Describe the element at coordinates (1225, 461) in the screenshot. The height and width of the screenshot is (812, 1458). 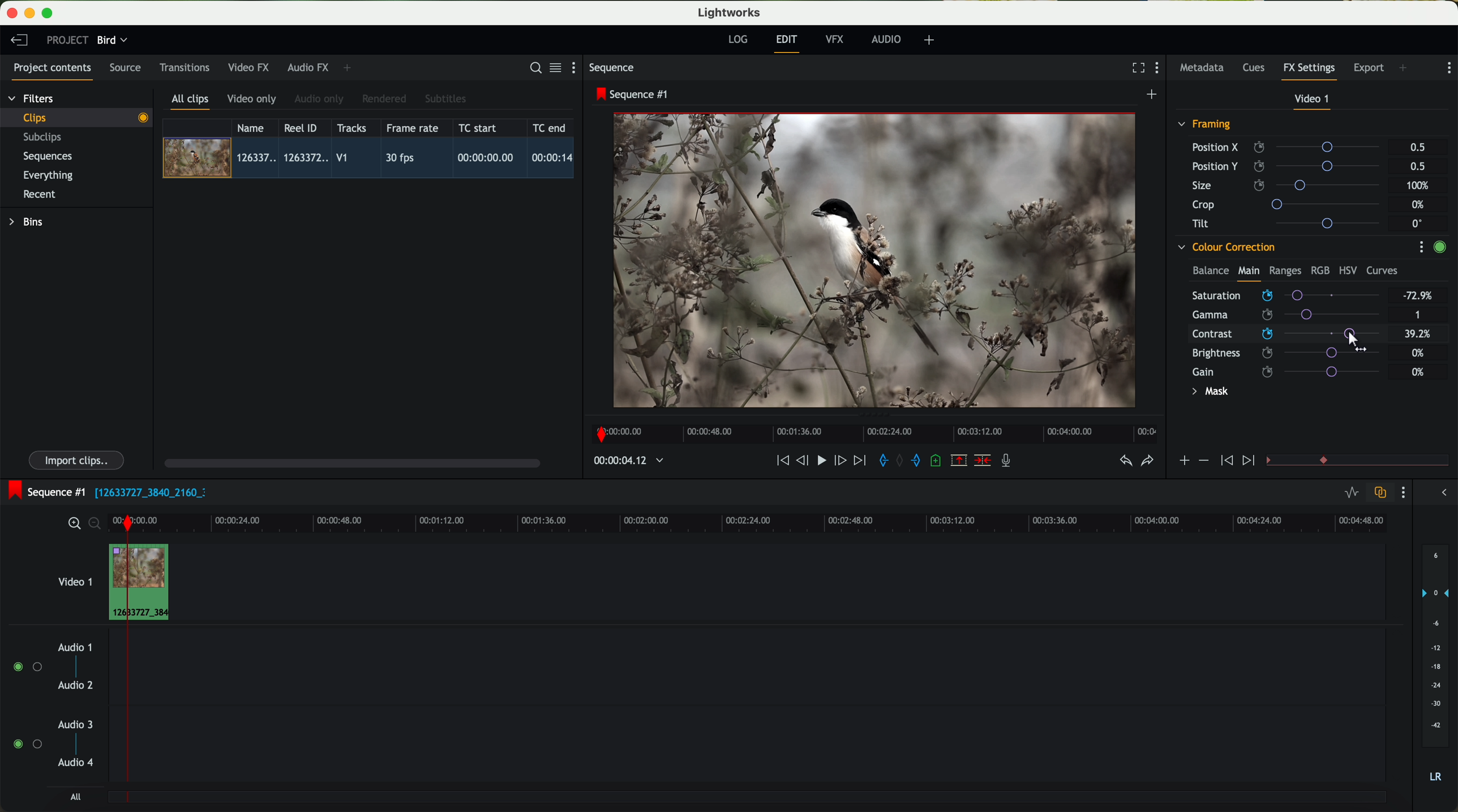
I see `icon` at that location.